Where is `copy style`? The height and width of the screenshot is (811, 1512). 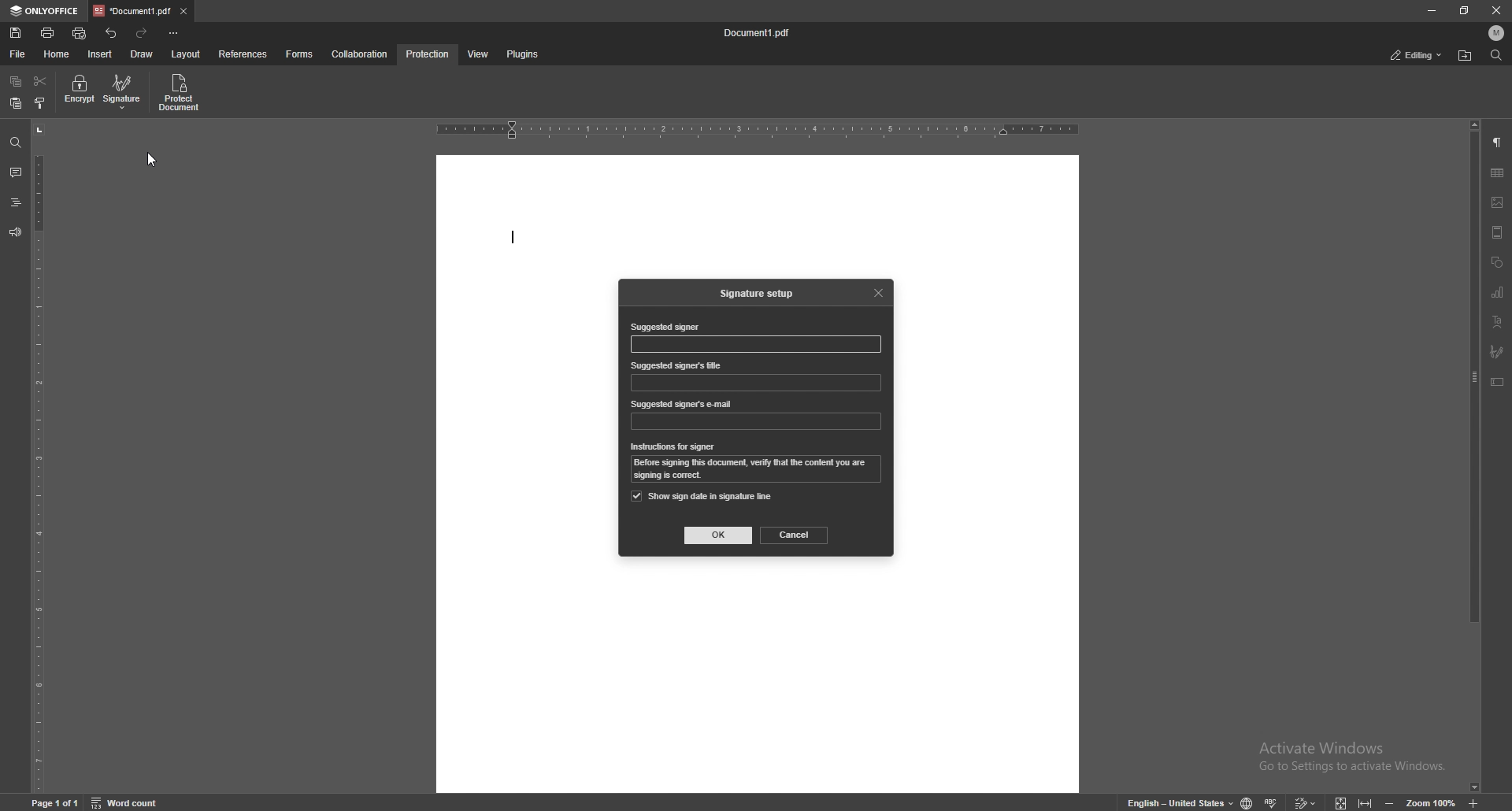 copy style is located at coordinates (41, 103).